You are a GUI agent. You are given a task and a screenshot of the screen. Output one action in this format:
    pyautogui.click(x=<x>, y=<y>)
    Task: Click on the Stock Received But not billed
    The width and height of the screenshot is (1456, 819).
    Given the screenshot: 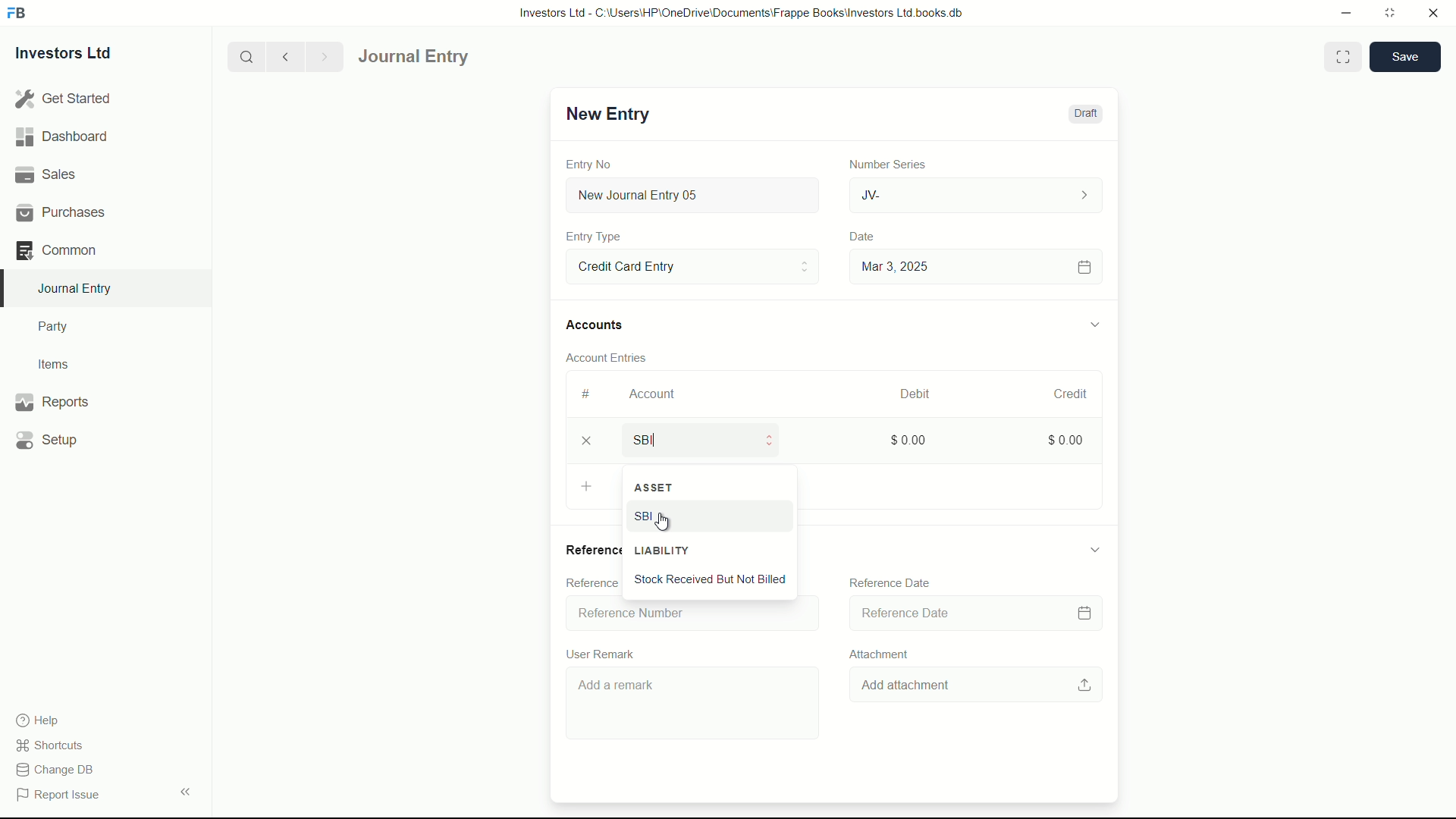 What is the action you would take?
    pyautogui.click(x=714, y=581)
    